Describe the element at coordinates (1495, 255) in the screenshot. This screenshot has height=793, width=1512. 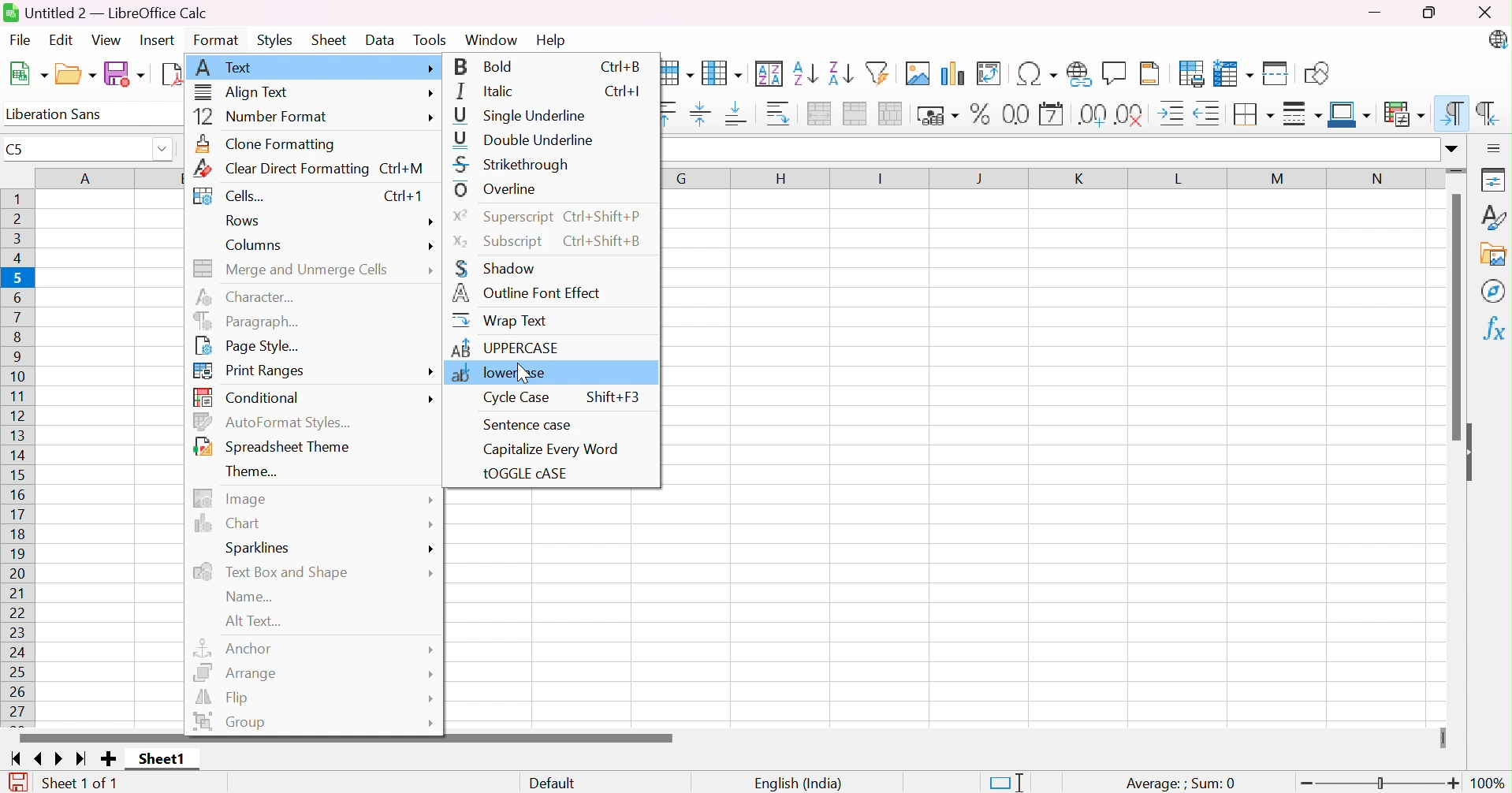
I see `Gallery` at that location.